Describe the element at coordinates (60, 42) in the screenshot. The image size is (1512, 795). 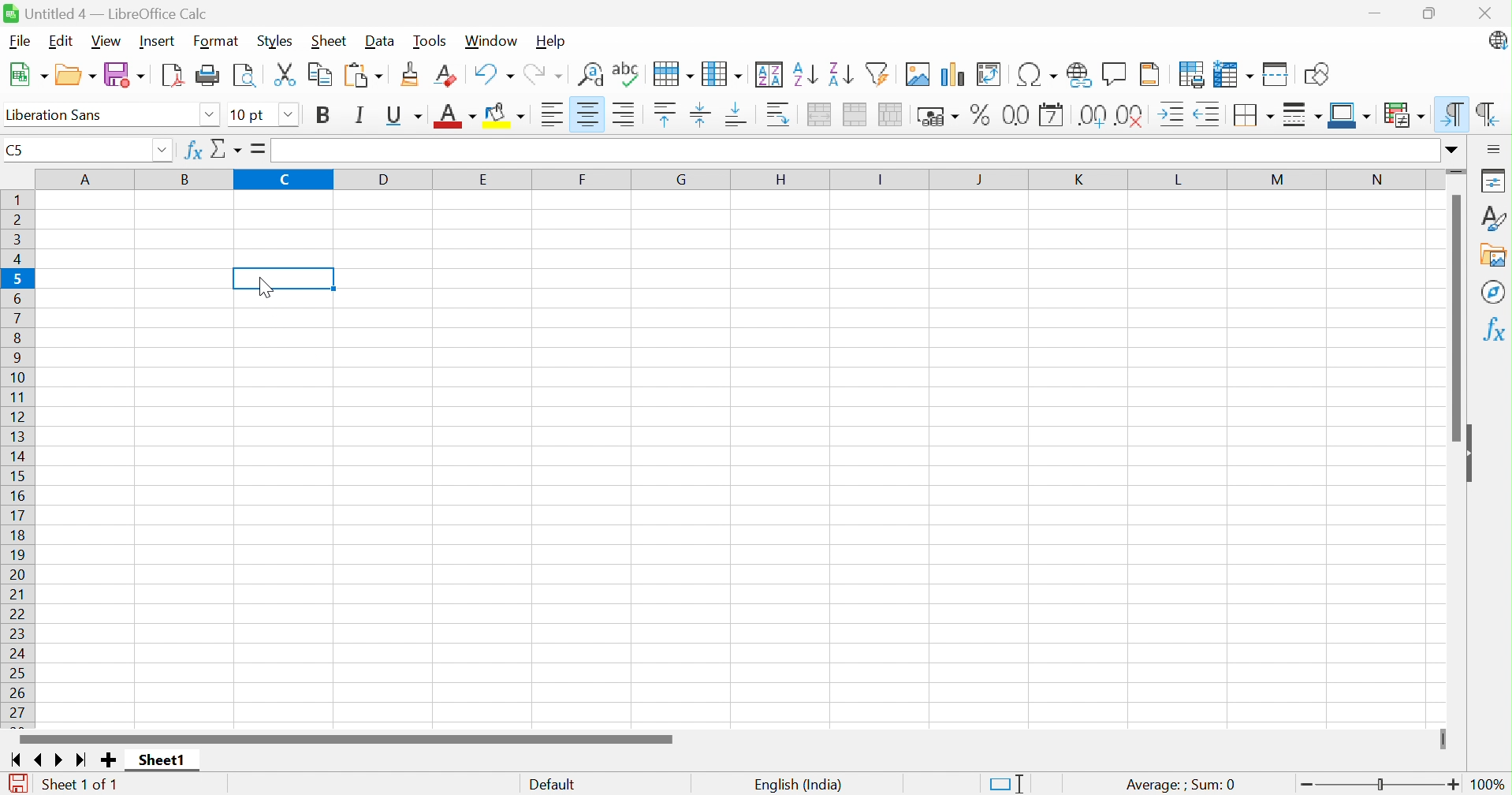
I see `Edit` at that location.